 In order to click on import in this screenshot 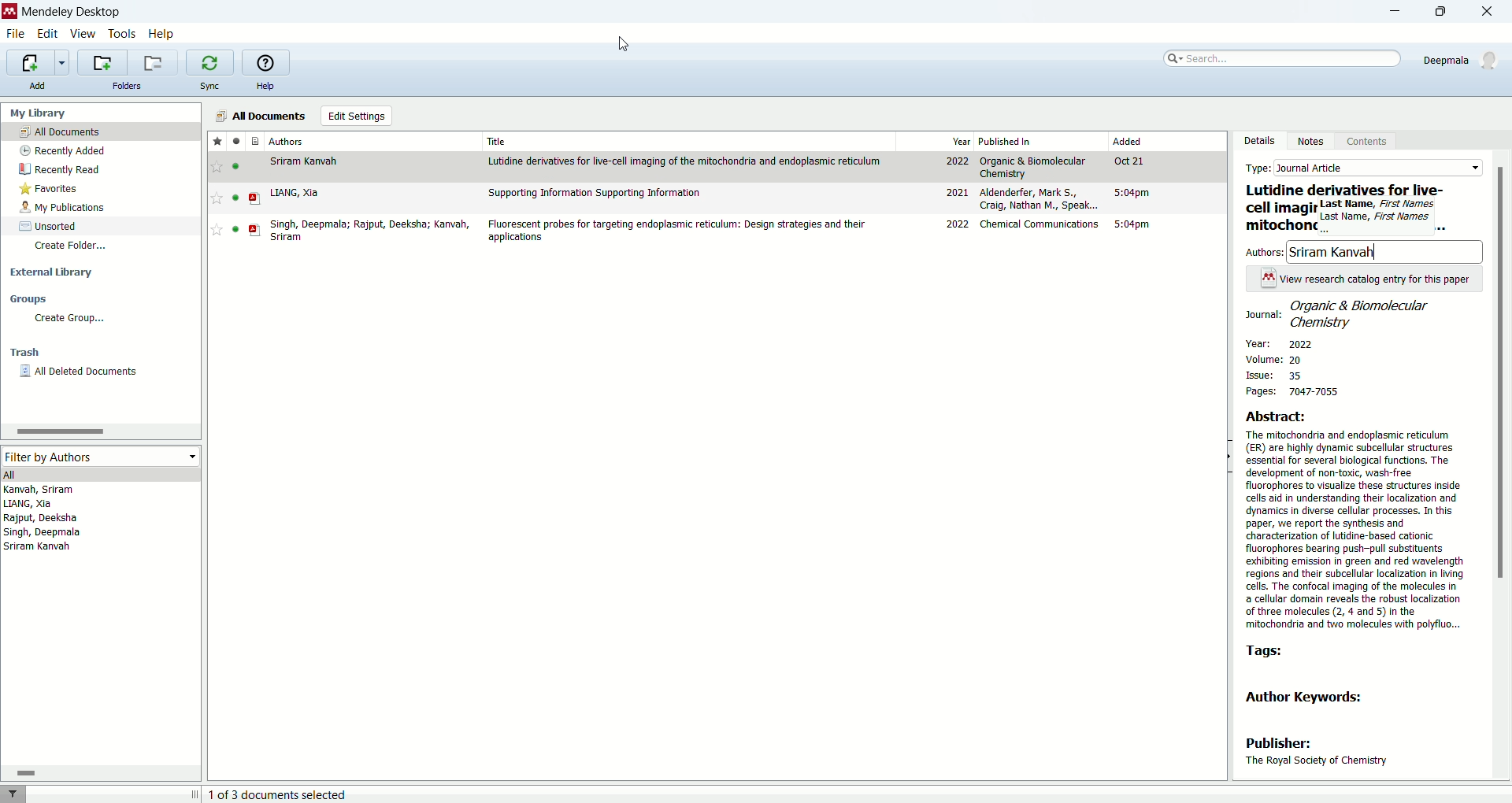, I will do `click(38, 62)`.